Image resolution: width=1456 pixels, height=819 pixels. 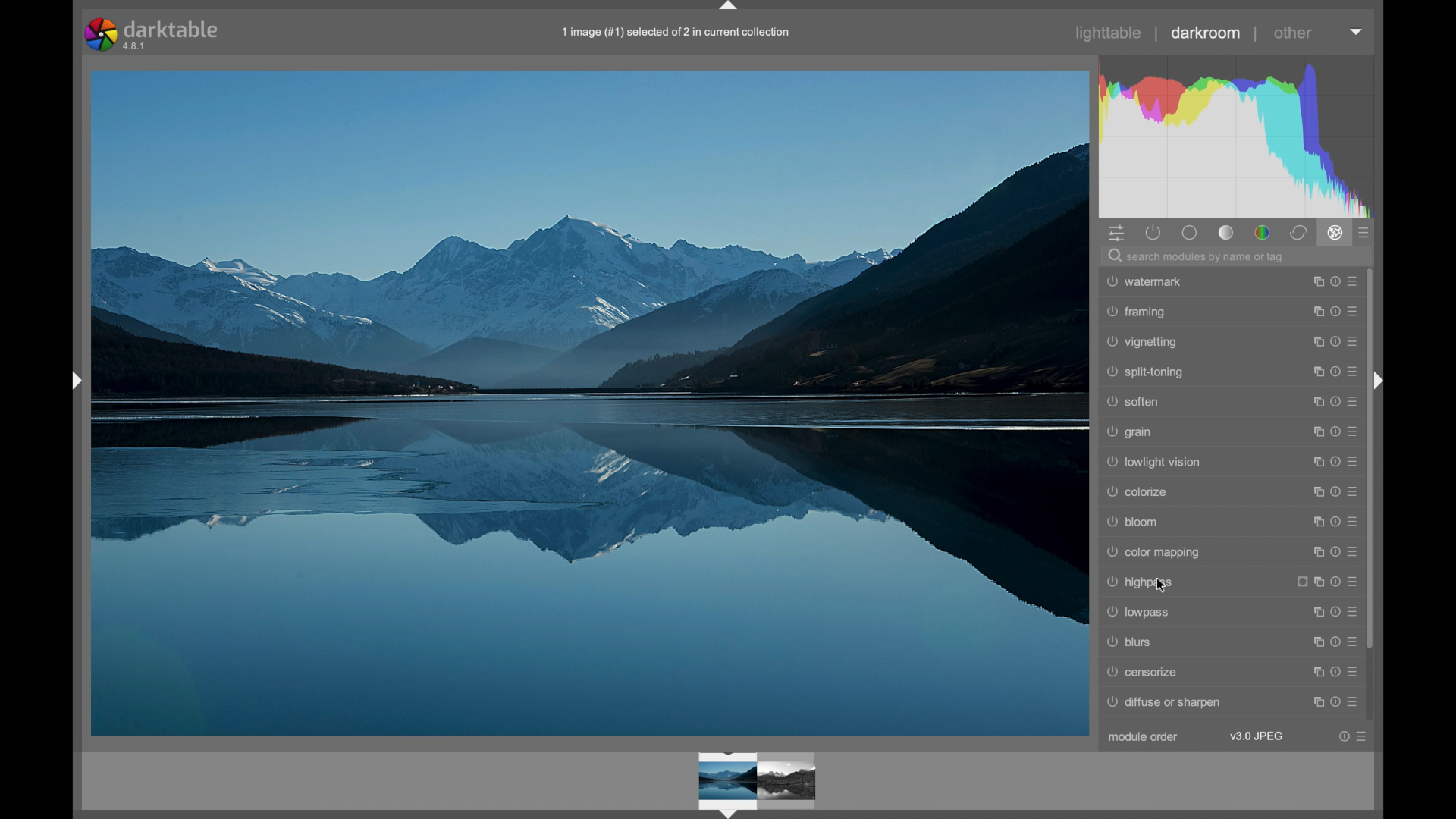 What do you see at coordinates (1144, 736) in the screenshot?
I see `module order` at bounding box center [1144, 736].